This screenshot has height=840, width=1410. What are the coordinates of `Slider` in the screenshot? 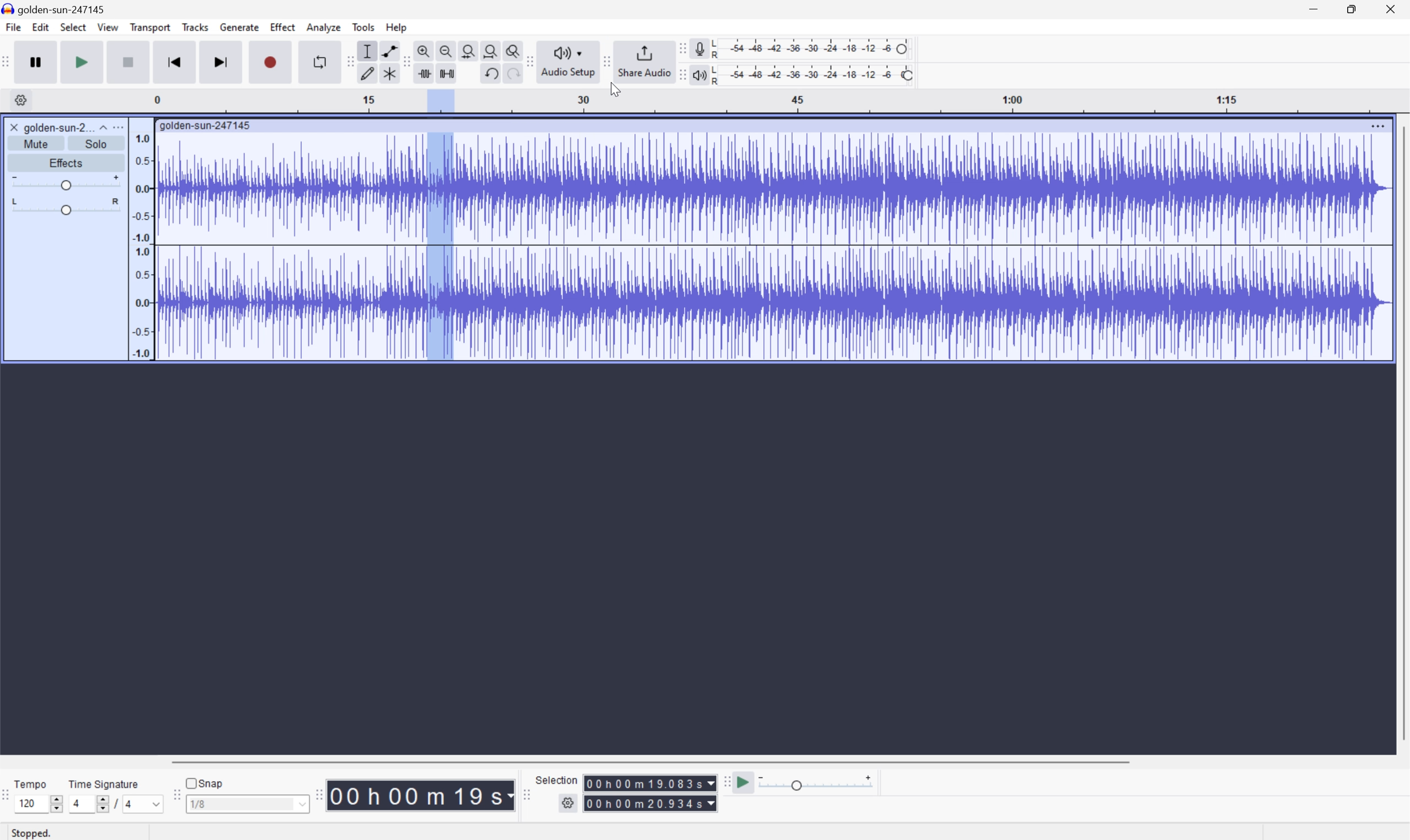 It's located at (65, 208).